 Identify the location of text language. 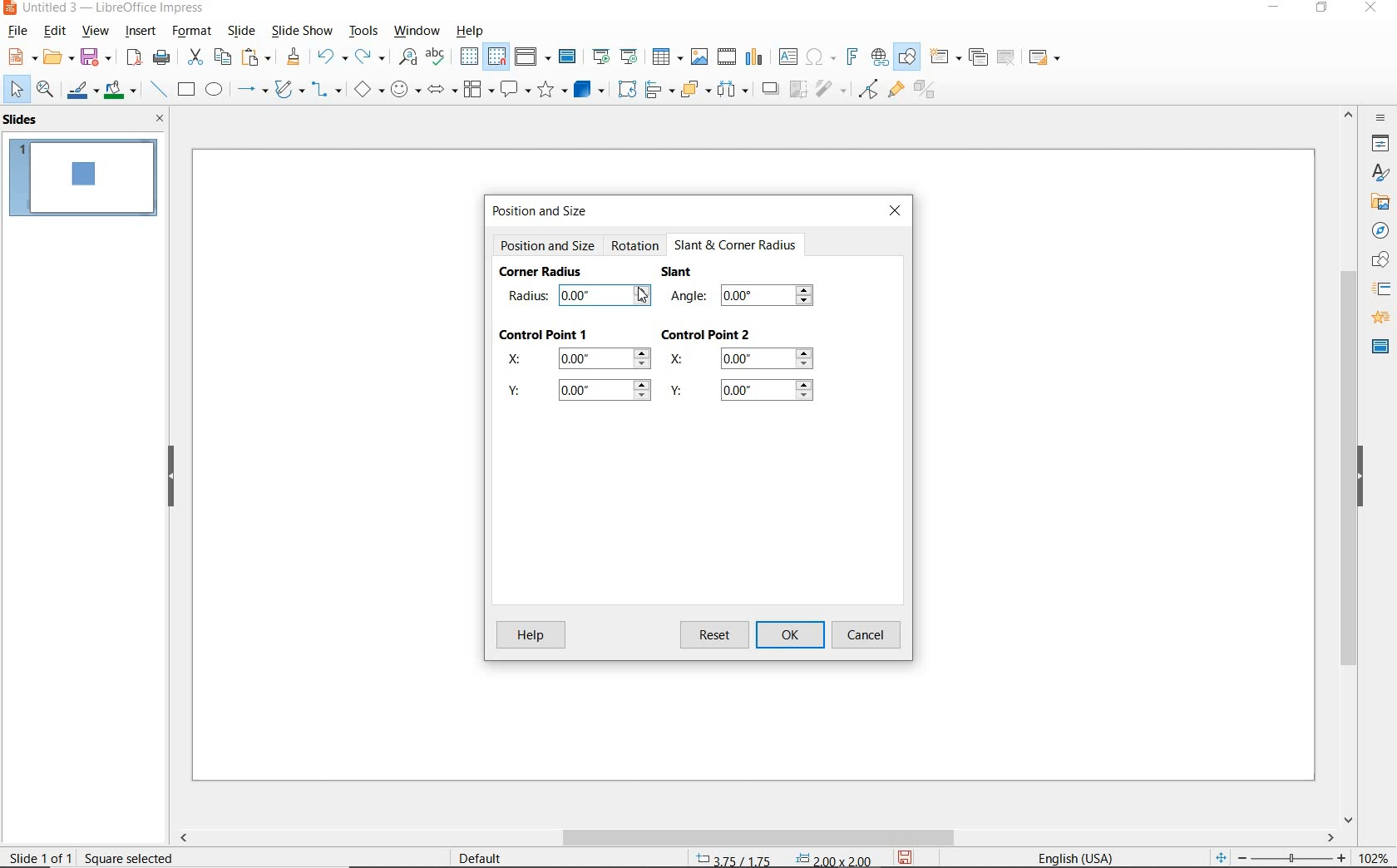
(1083, 857).